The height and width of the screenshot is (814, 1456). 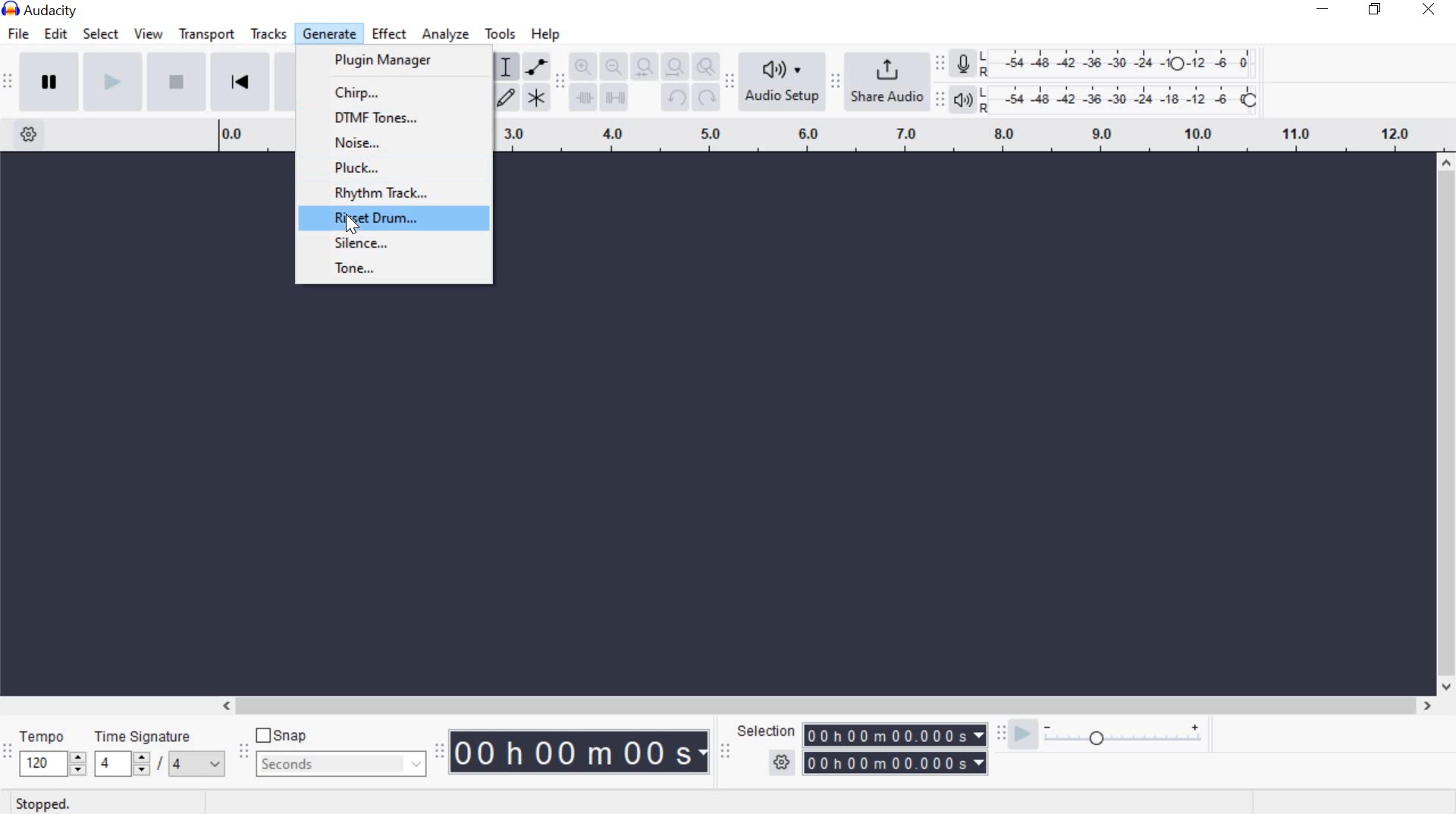 I want to click on dtmf tones, so click(x=400, y=118).